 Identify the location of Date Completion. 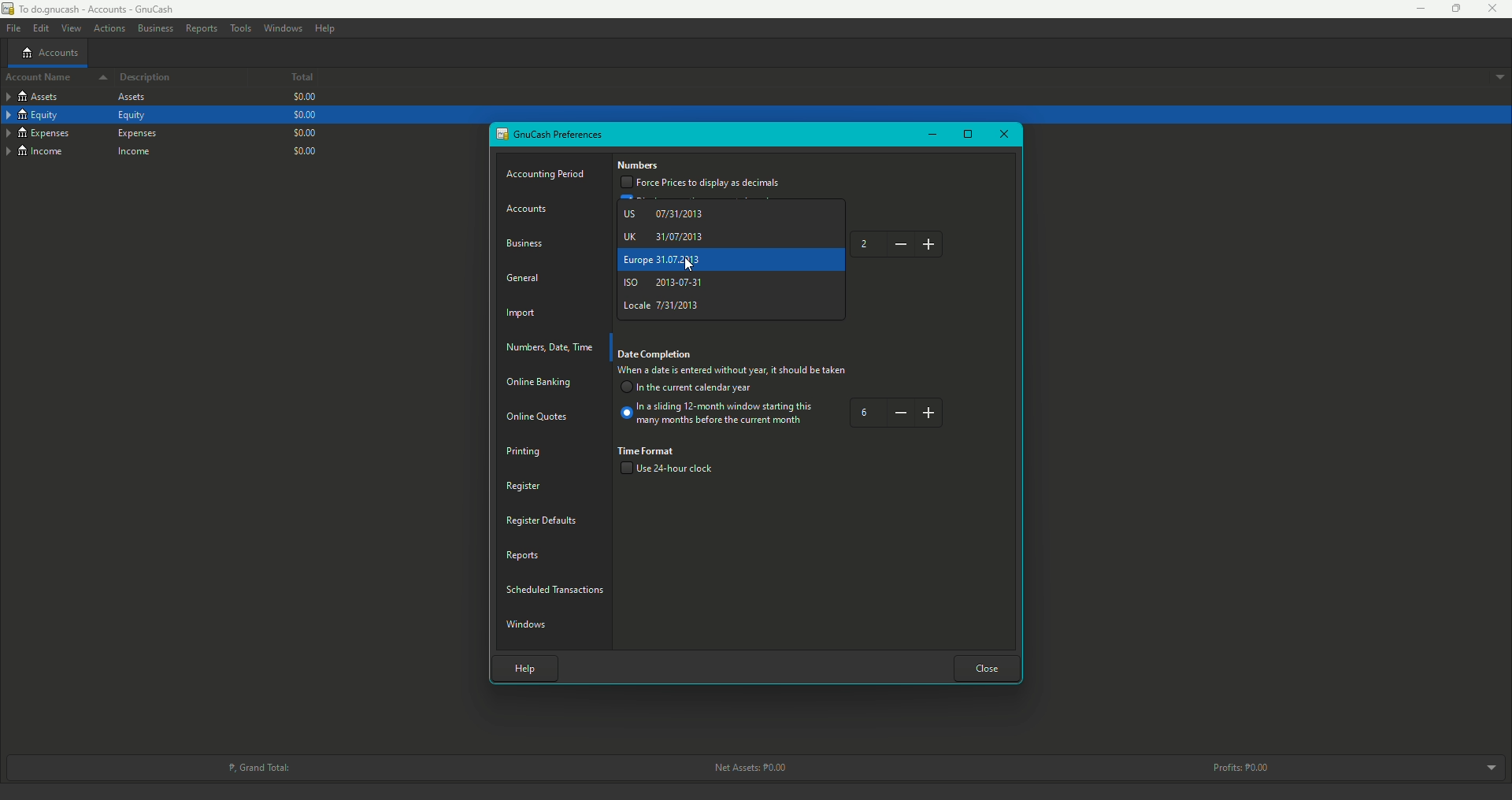
(657, 355).